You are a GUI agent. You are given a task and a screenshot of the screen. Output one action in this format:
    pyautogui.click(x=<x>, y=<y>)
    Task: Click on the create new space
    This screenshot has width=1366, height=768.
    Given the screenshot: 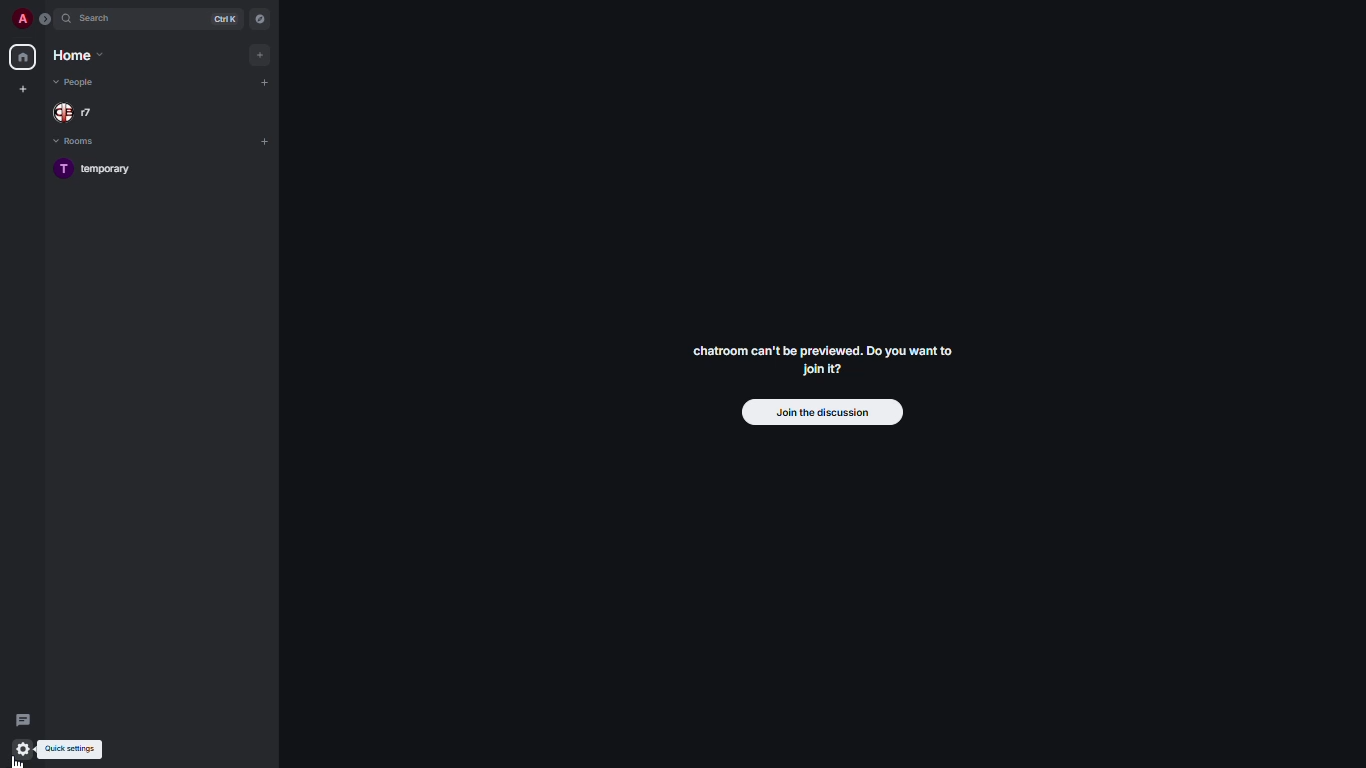 What is the action you would take?
    pyautogui.click(x=22, y=88)
    